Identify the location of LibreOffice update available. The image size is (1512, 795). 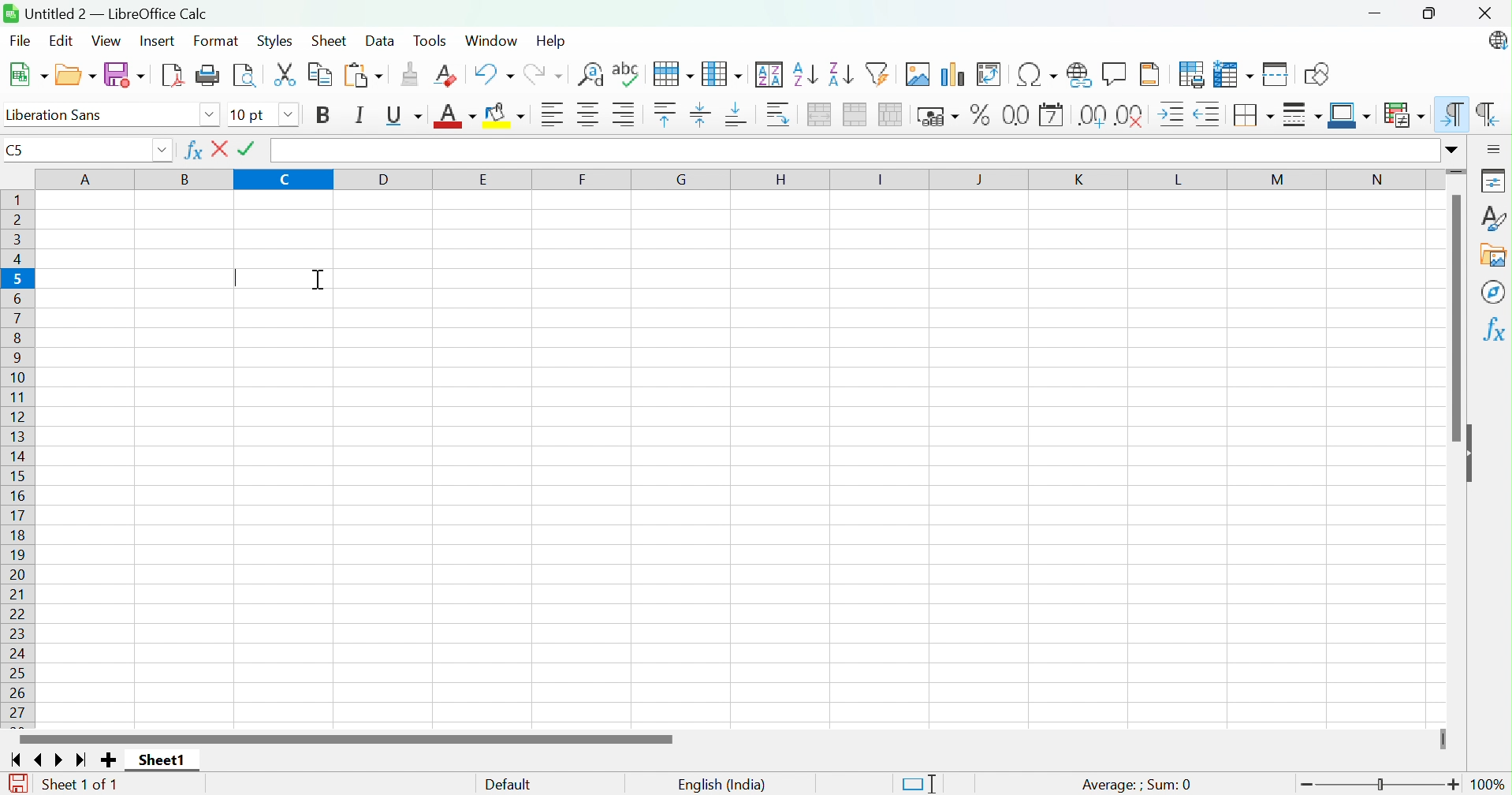
(1496, 40).